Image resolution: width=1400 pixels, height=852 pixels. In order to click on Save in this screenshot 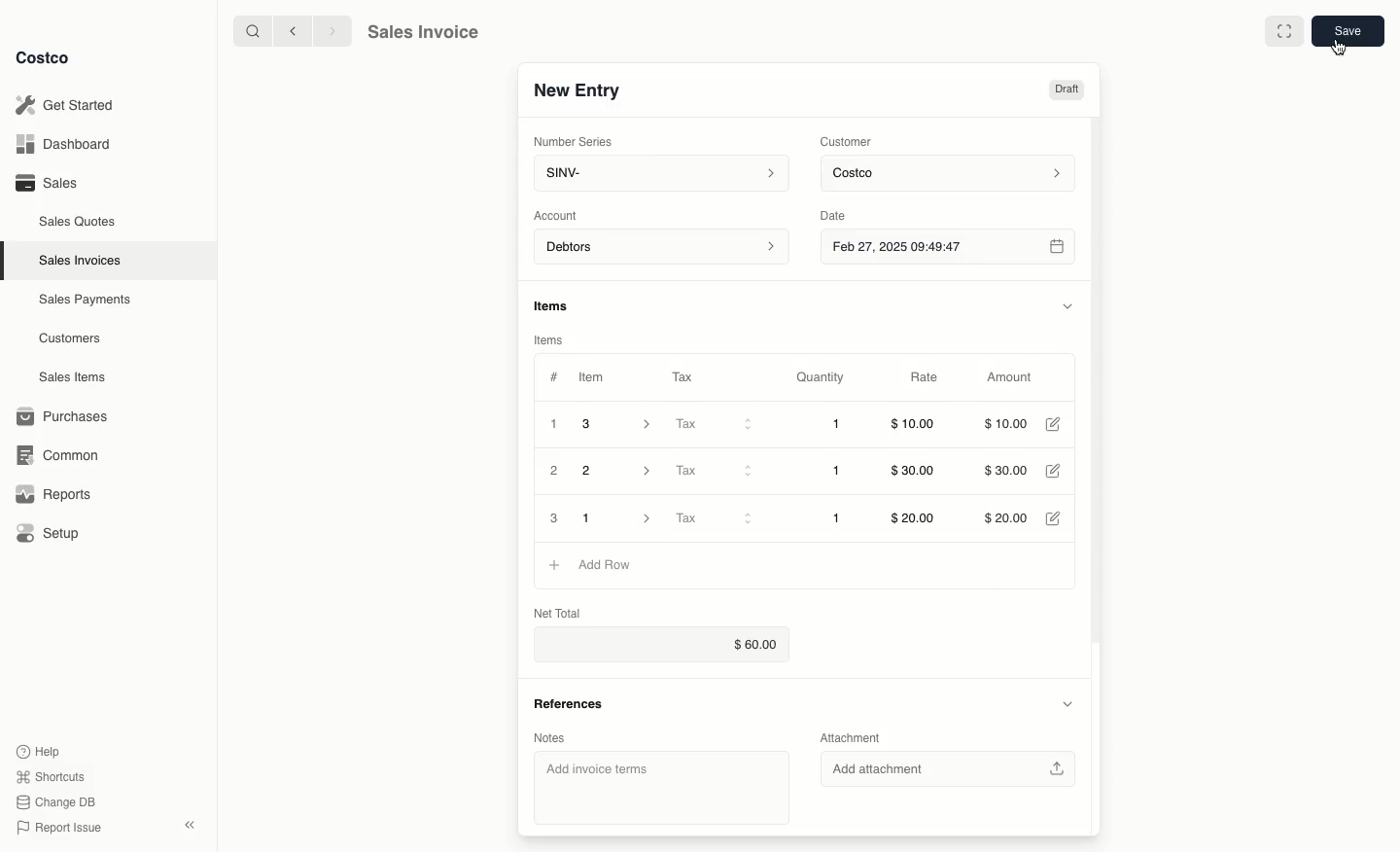, I will do `click(1347, 32)`.